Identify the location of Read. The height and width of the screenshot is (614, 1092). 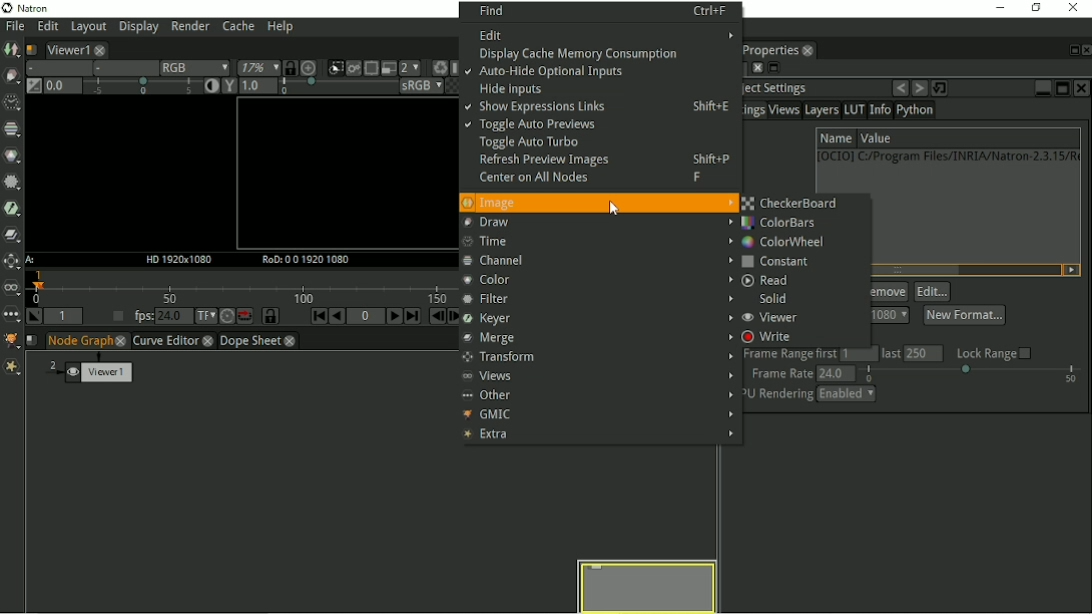
(766, 281).